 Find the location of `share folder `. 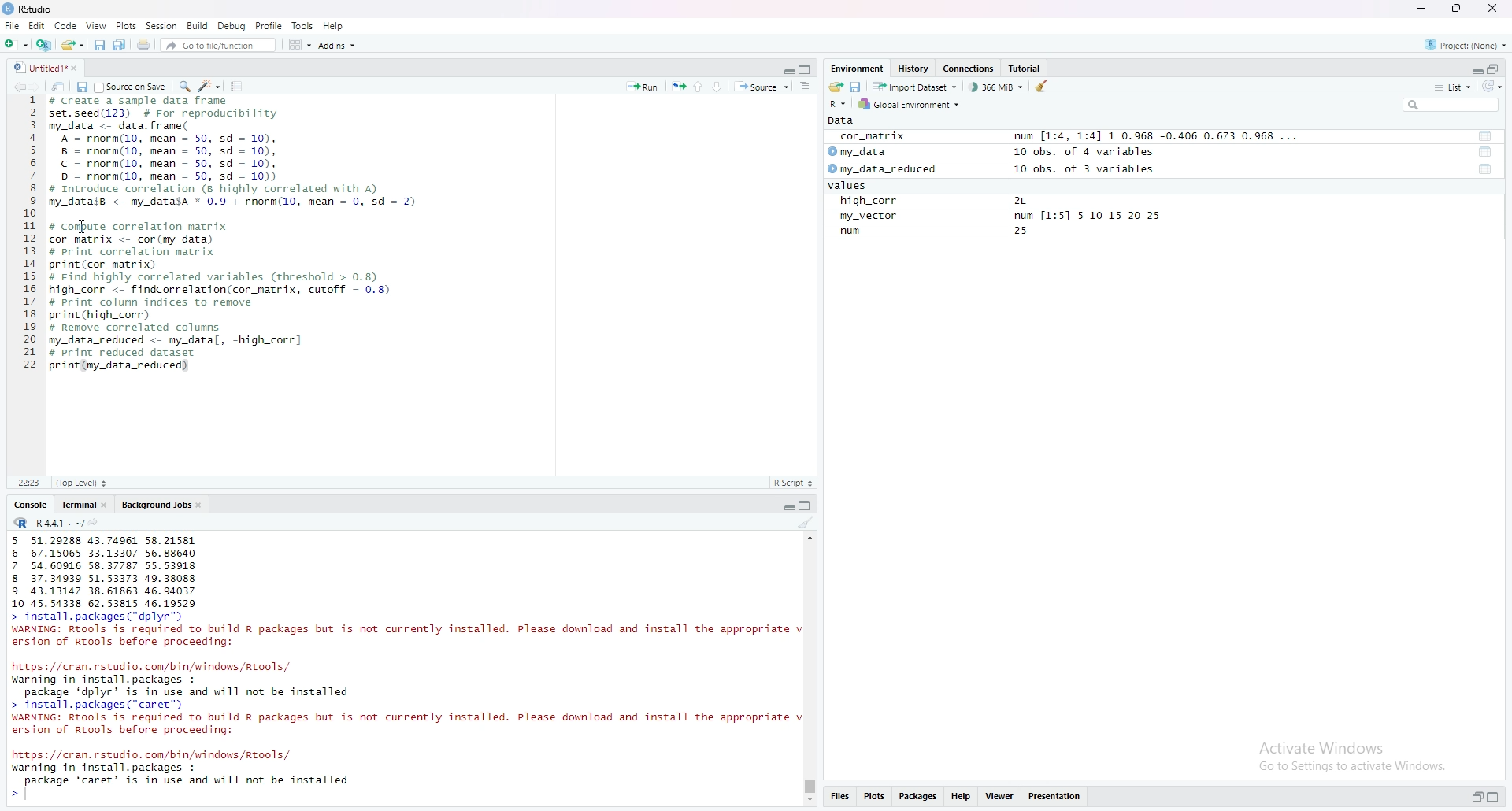

share folder  is located at coordinates (73, 45).